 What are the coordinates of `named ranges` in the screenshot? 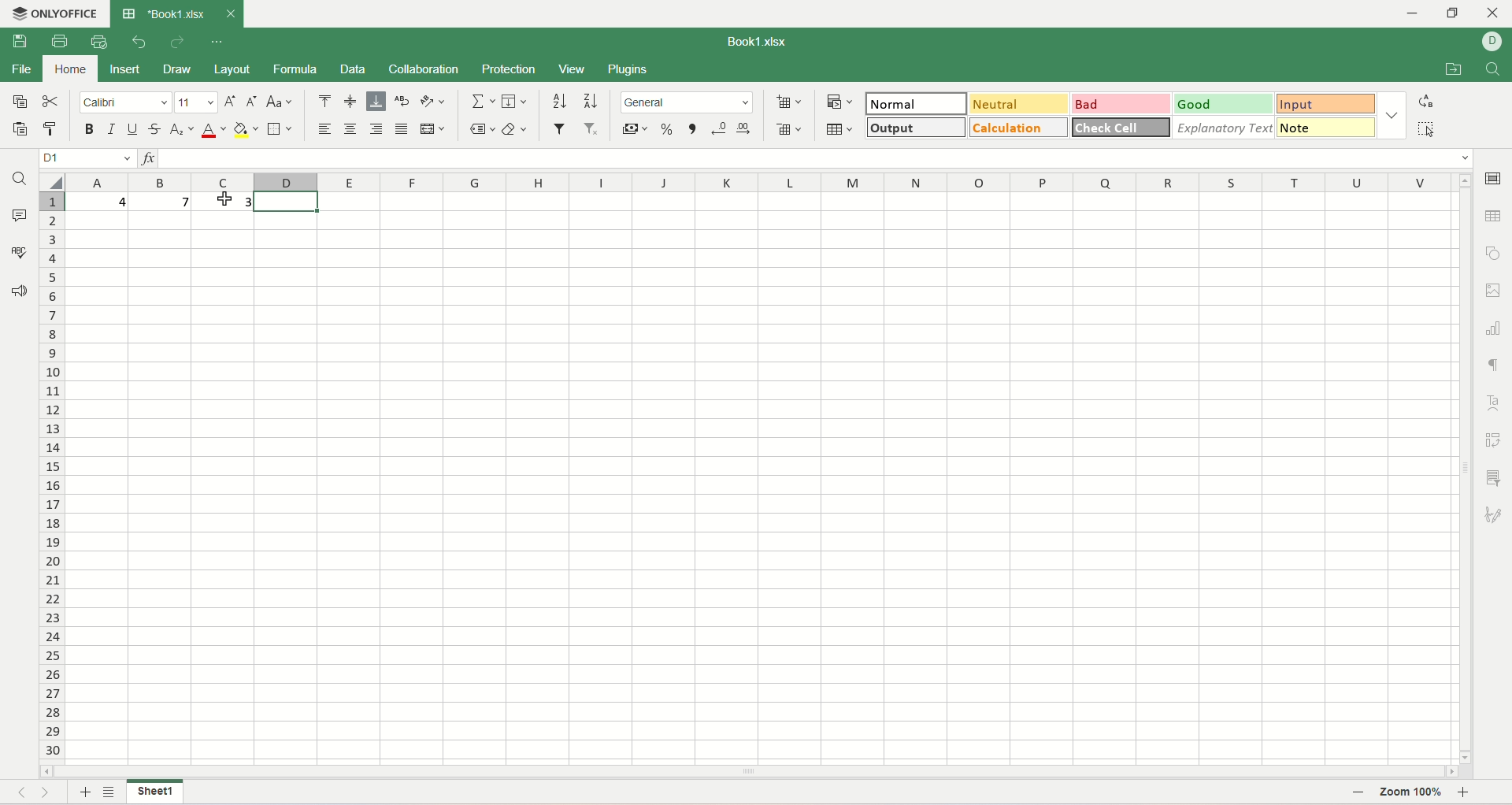 It's located at (480, 131).